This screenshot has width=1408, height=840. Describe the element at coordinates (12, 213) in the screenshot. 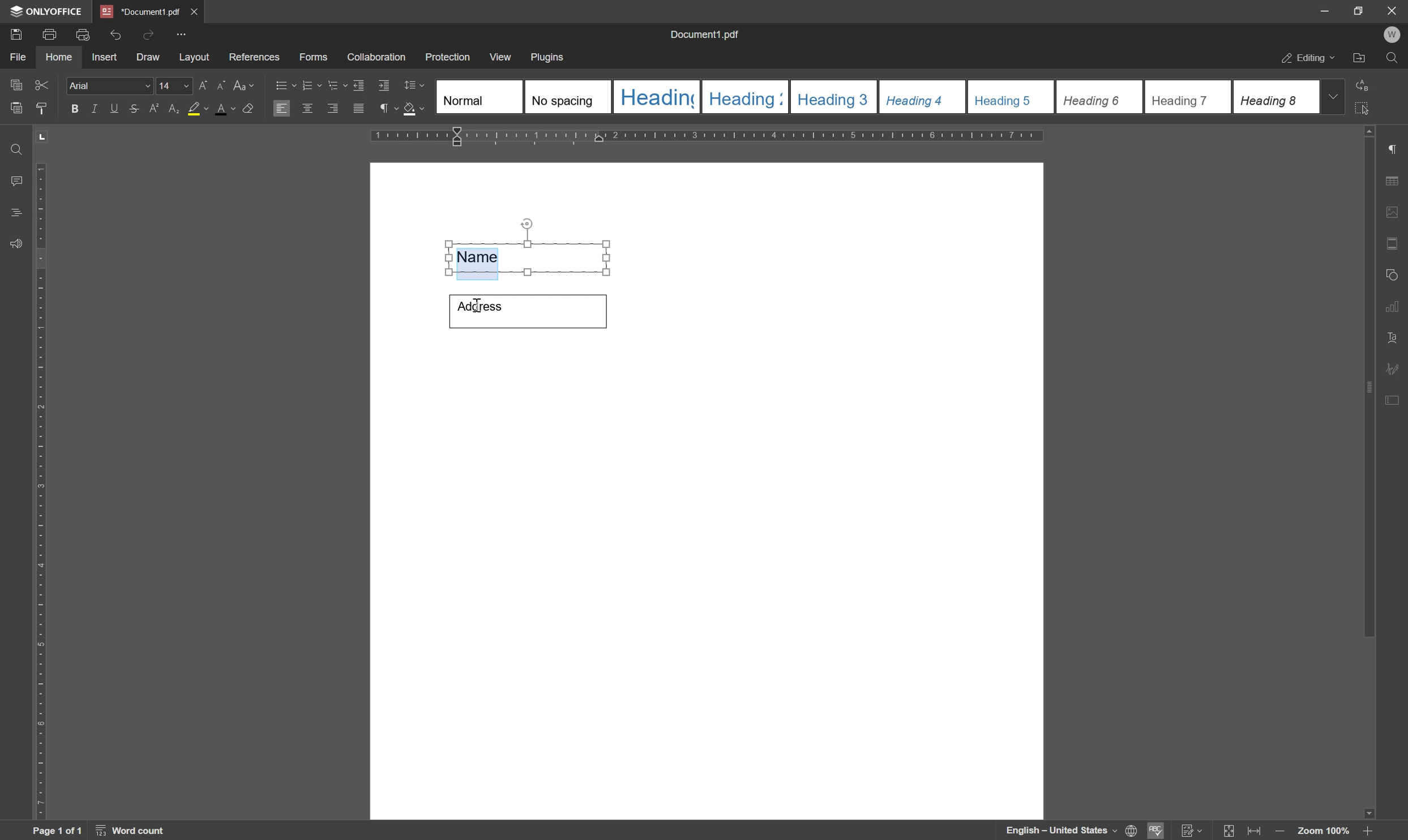

I see `headings` at that location.